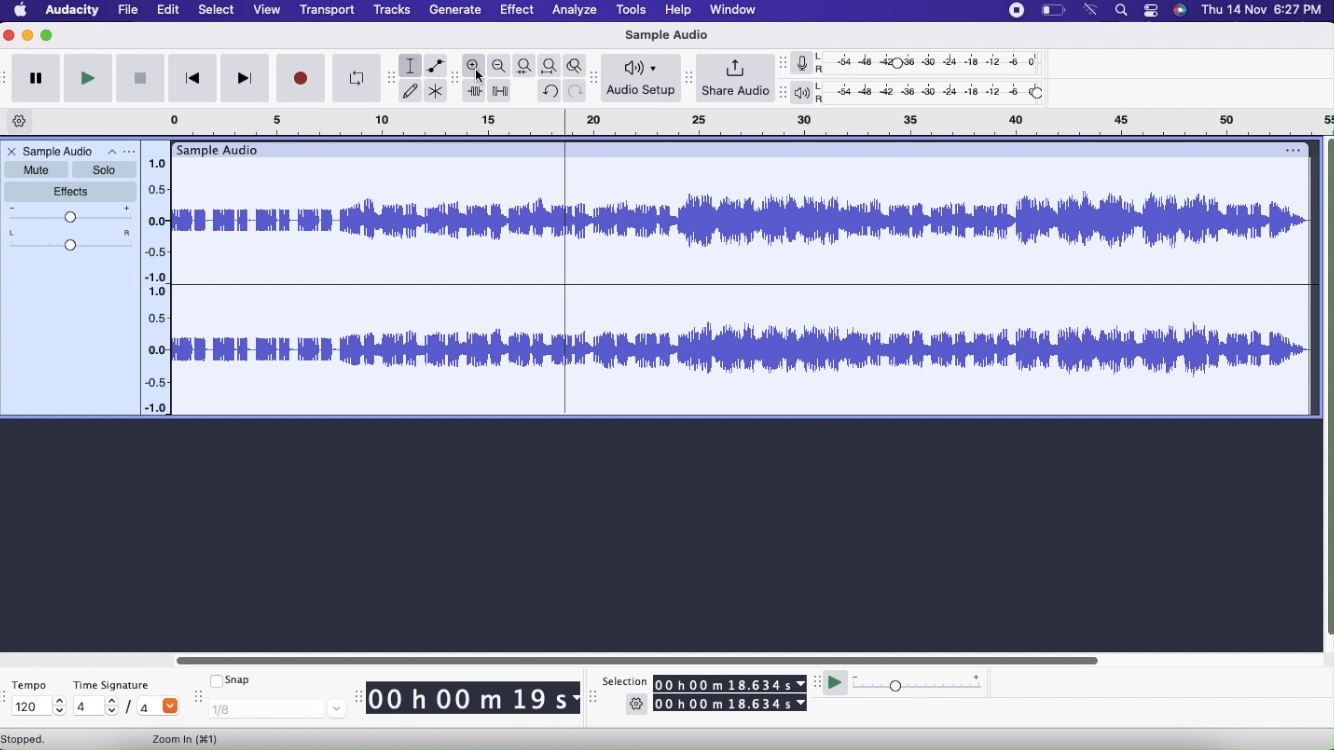  Describe the element at coordinates (629, 658) in the screenshot. I see `Slider` at that location.